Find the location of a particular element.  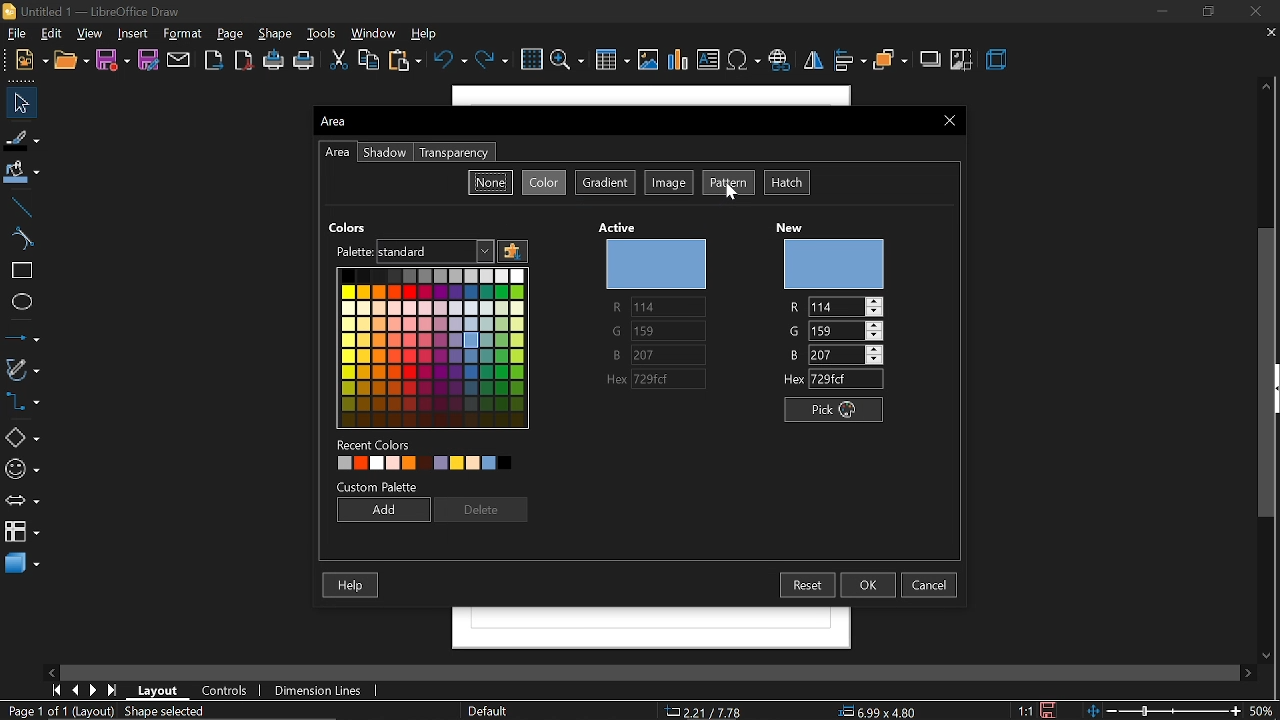

co-ordinate is located at coordinates (706, 712).